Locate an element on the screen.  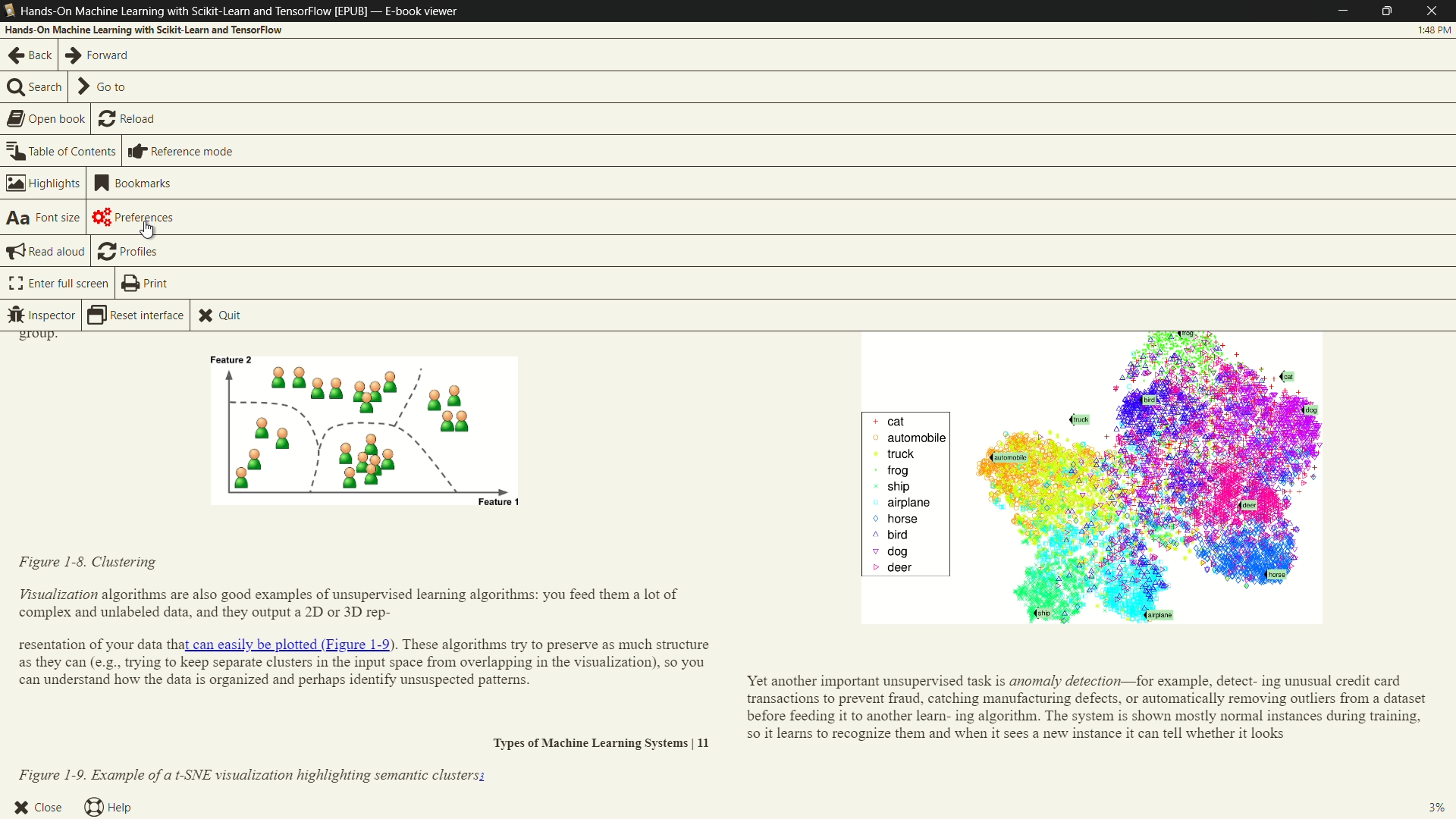
1:43 pm is located at coordinates (1435, 32).